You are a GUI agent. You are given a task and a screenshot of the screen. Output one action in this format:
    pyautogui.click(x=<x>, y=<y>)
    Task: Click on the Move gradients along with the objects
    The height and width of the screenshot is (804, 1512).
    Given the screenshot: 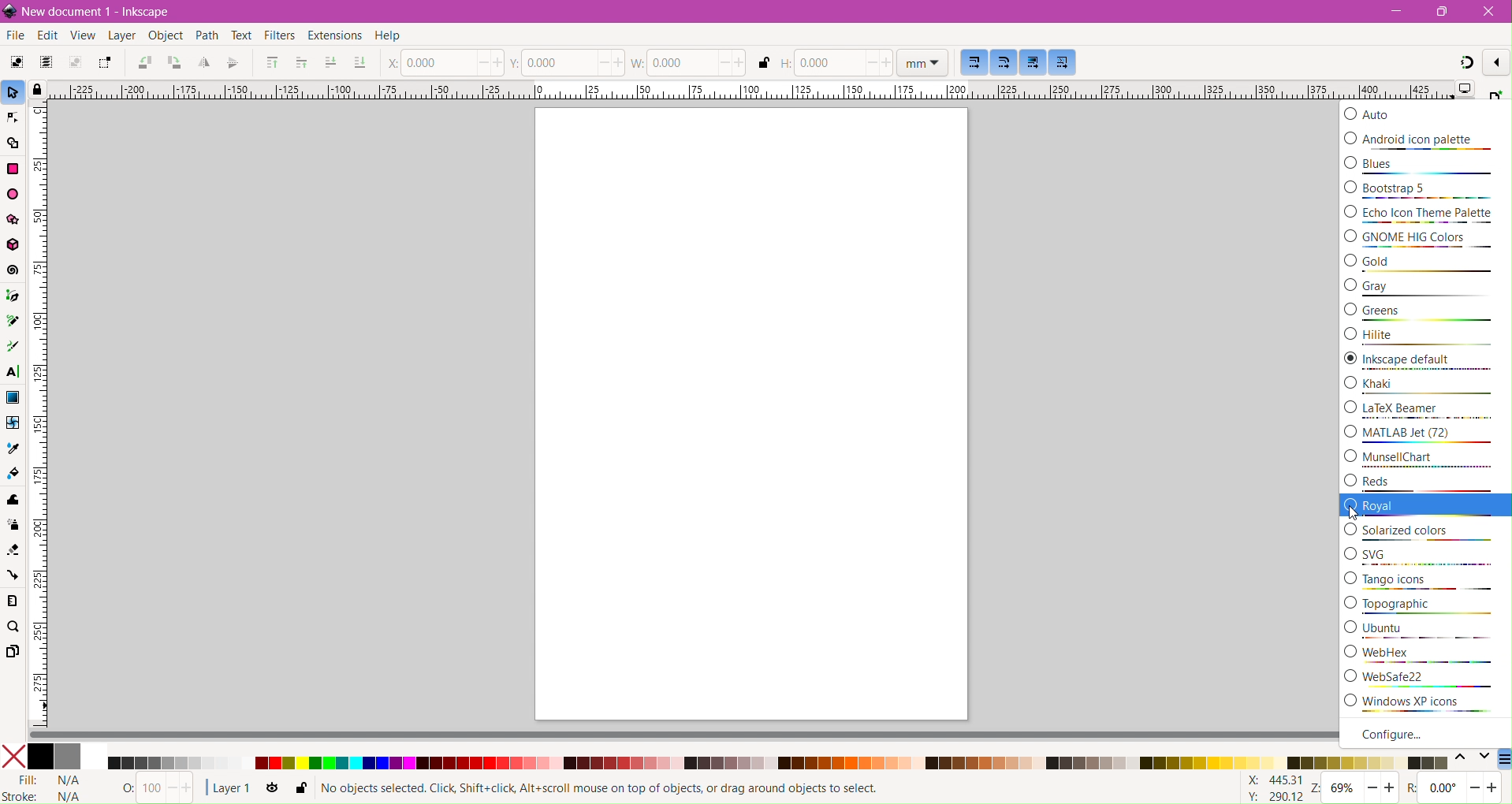 What is the action you would take?
    pyautogui.click(x=1032, y=62)
    